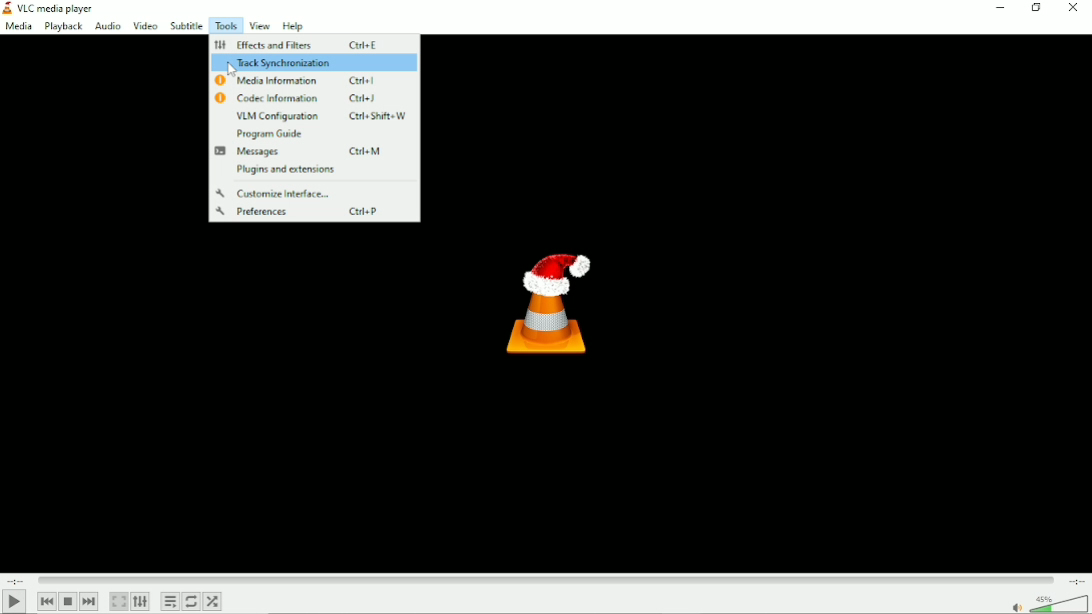  Describe the element at coordinates (18, 580) in the screenshot. I see `Elapsed time` at that location.